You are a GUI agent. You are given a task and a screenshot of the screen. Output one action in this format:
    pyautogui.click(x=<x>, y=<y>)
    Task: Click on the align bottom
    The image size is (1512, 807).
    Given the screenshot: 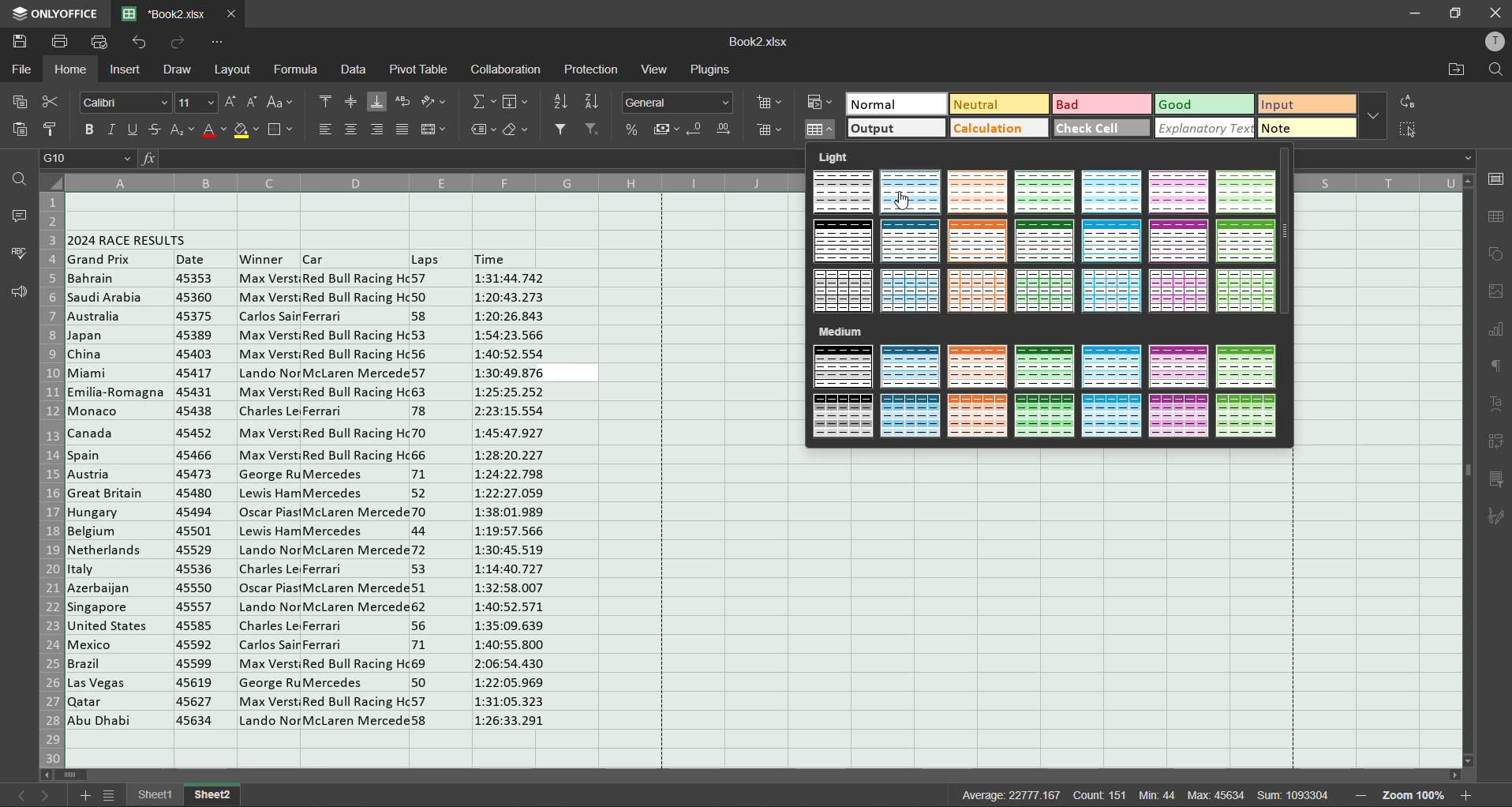 What is the action you would take?
    pyautogui.click(x=376, y=103)
    